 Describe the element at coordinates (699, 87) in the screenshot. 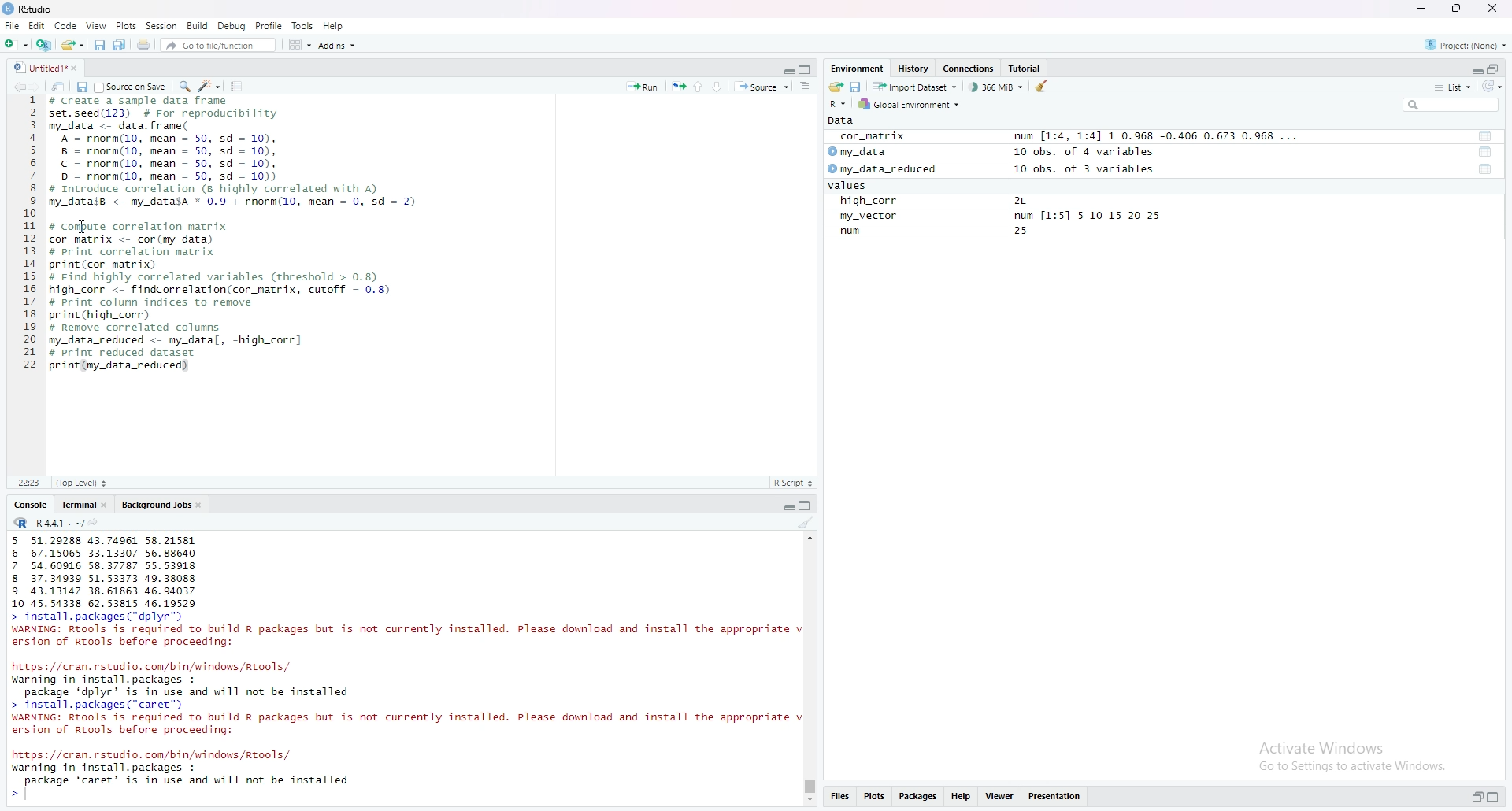

I see `up` at that location.